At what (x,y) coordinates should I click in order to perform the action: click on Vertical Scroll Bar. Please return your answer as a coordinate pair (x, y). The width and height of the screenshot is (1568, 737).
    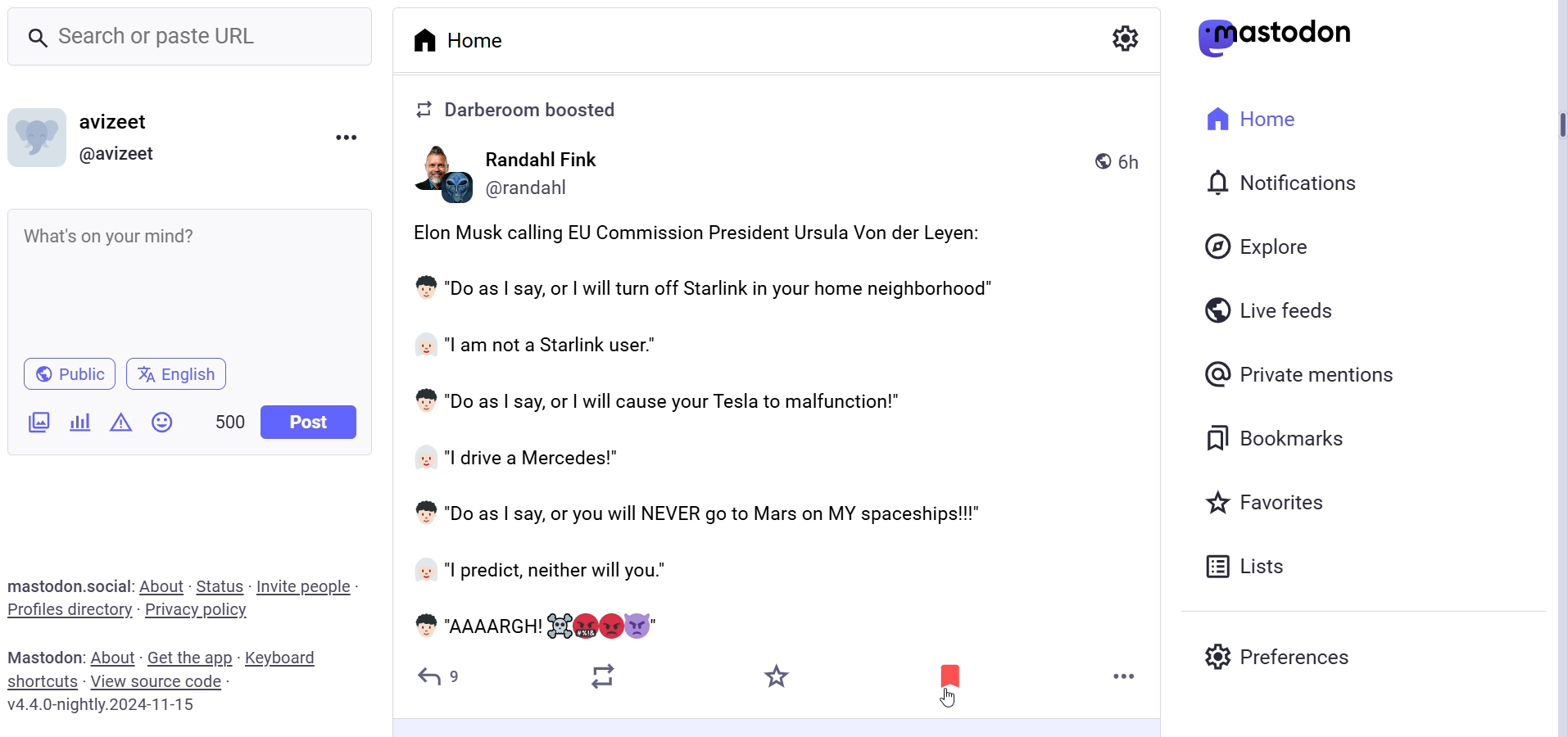
    Looking at the image, I should click on (1553, 384).